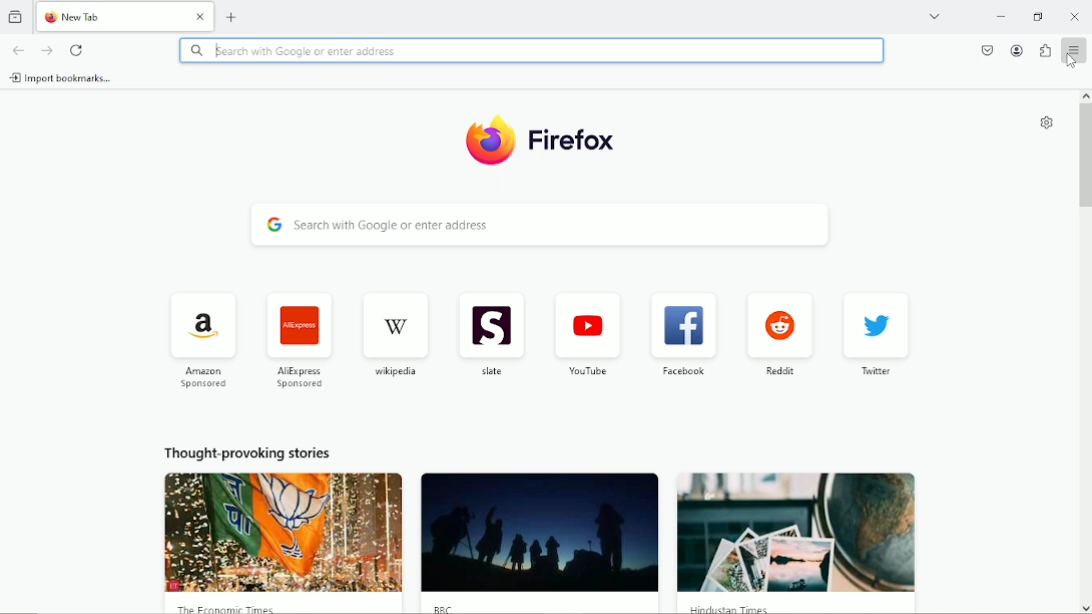 This screenshot has width=1092, height=614. What do you see at coordinates (876, 332) in the screenshot?
I see `twitter` at bounding box center [876, 332].